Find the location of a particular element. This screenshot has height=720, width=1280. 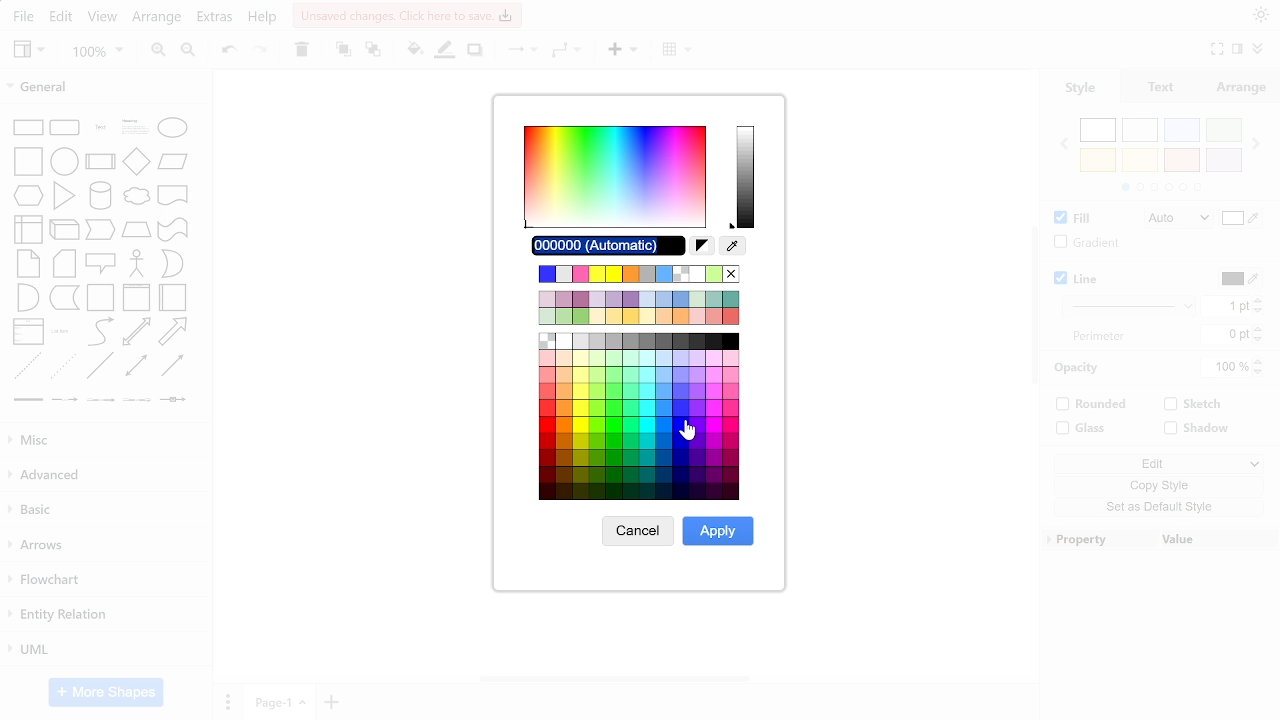

gradient is located at coordinates (1083, 243).